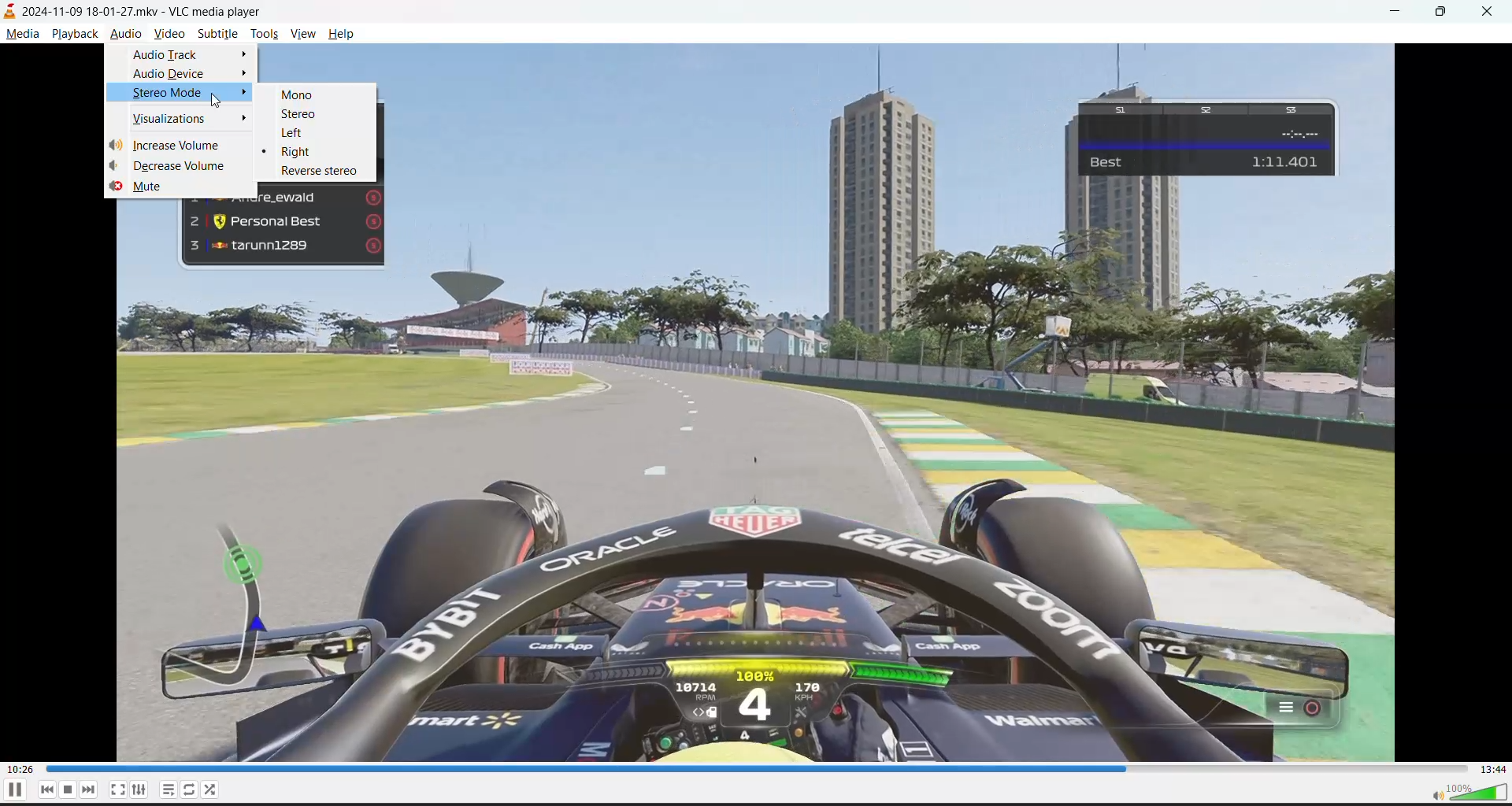  Describe the element at coordinates (191, 789) in the screenshot. I see `loops` at that location.